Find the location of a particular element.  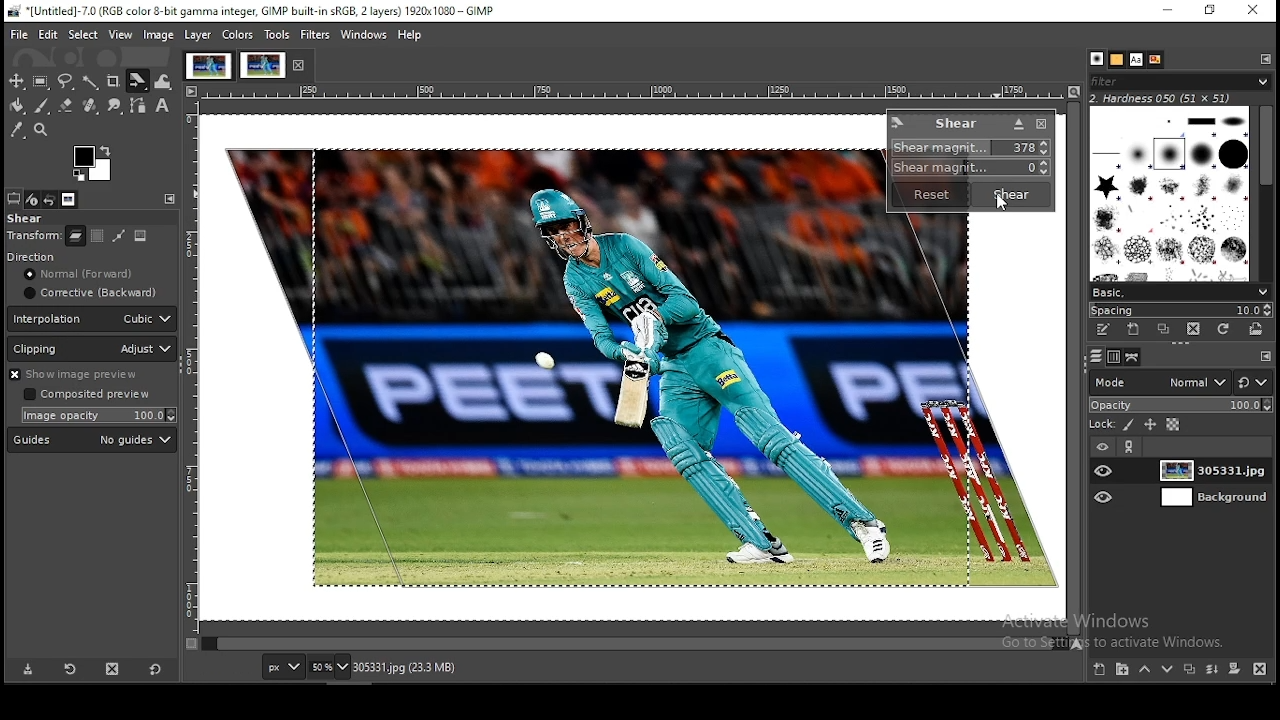

mouse pointer is located at coordinates (1002, 201).